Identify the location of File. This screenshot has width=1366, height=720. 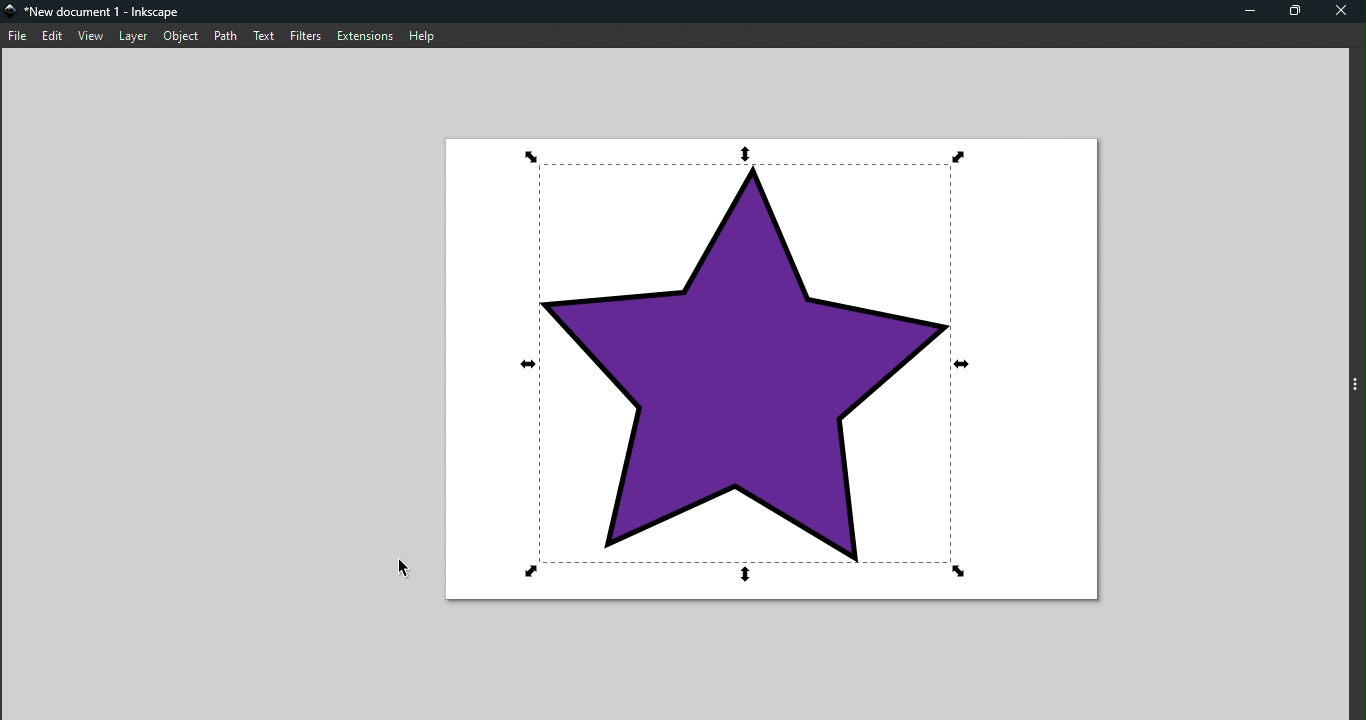
(17, 35).